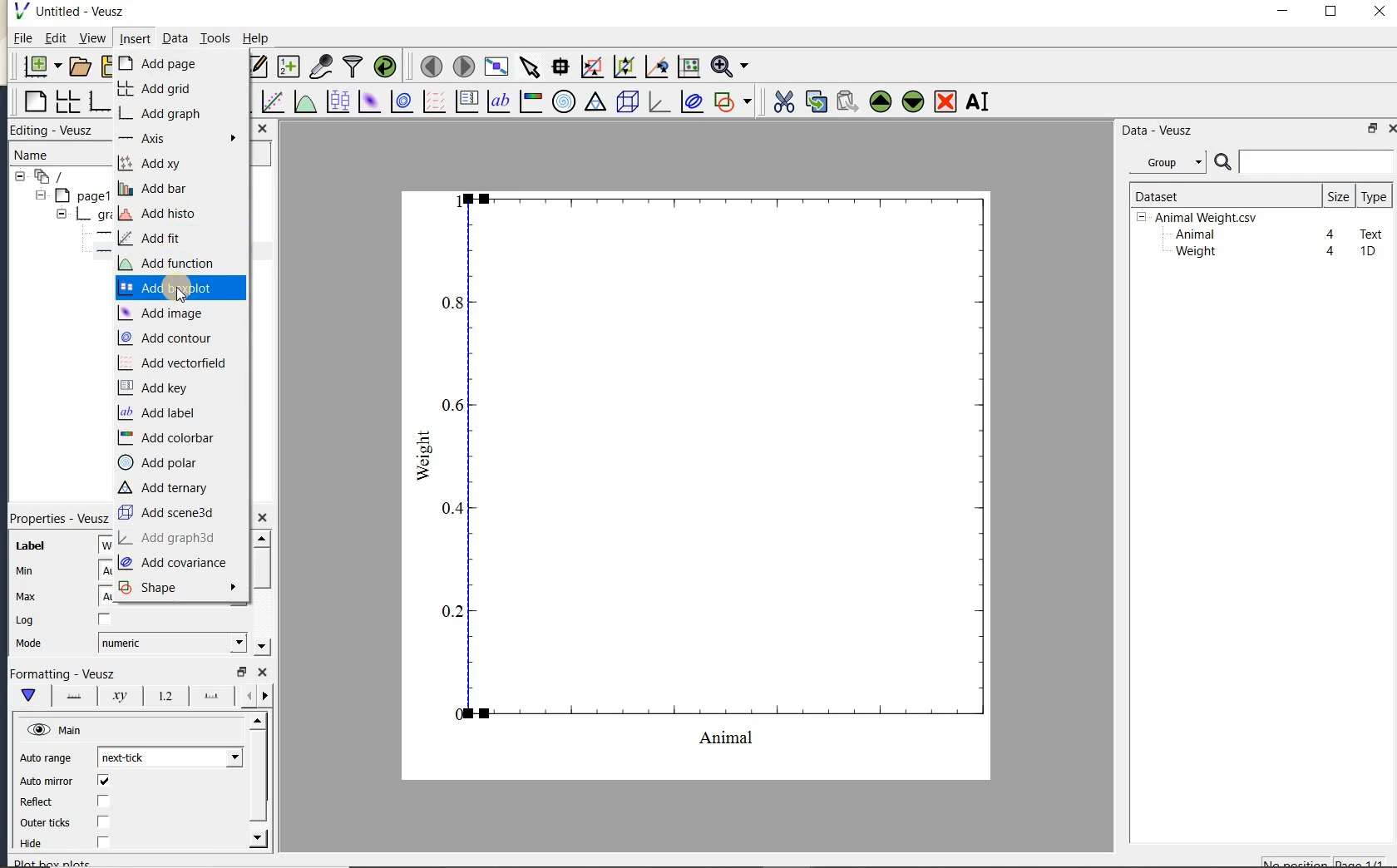  I want to click on size, so click(1338, 195).